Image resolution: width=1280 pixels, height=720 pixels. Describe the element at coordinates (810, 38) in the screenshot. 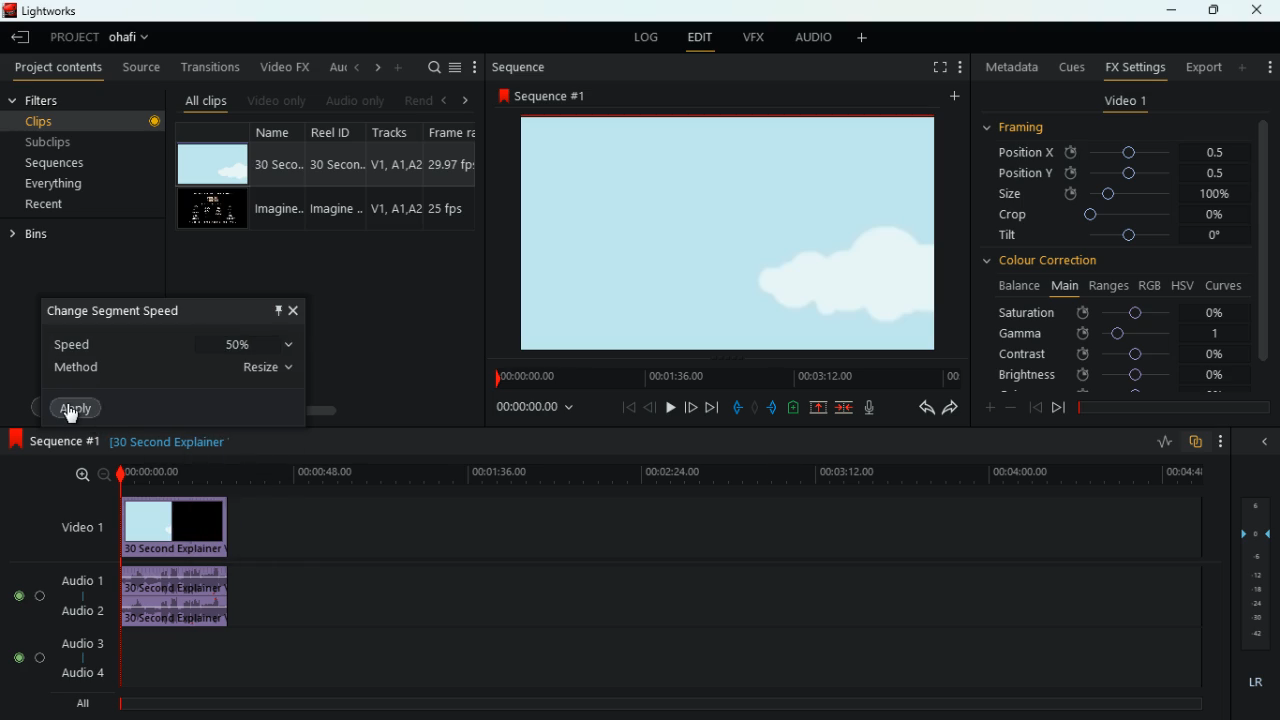

I see `audio` at that location.